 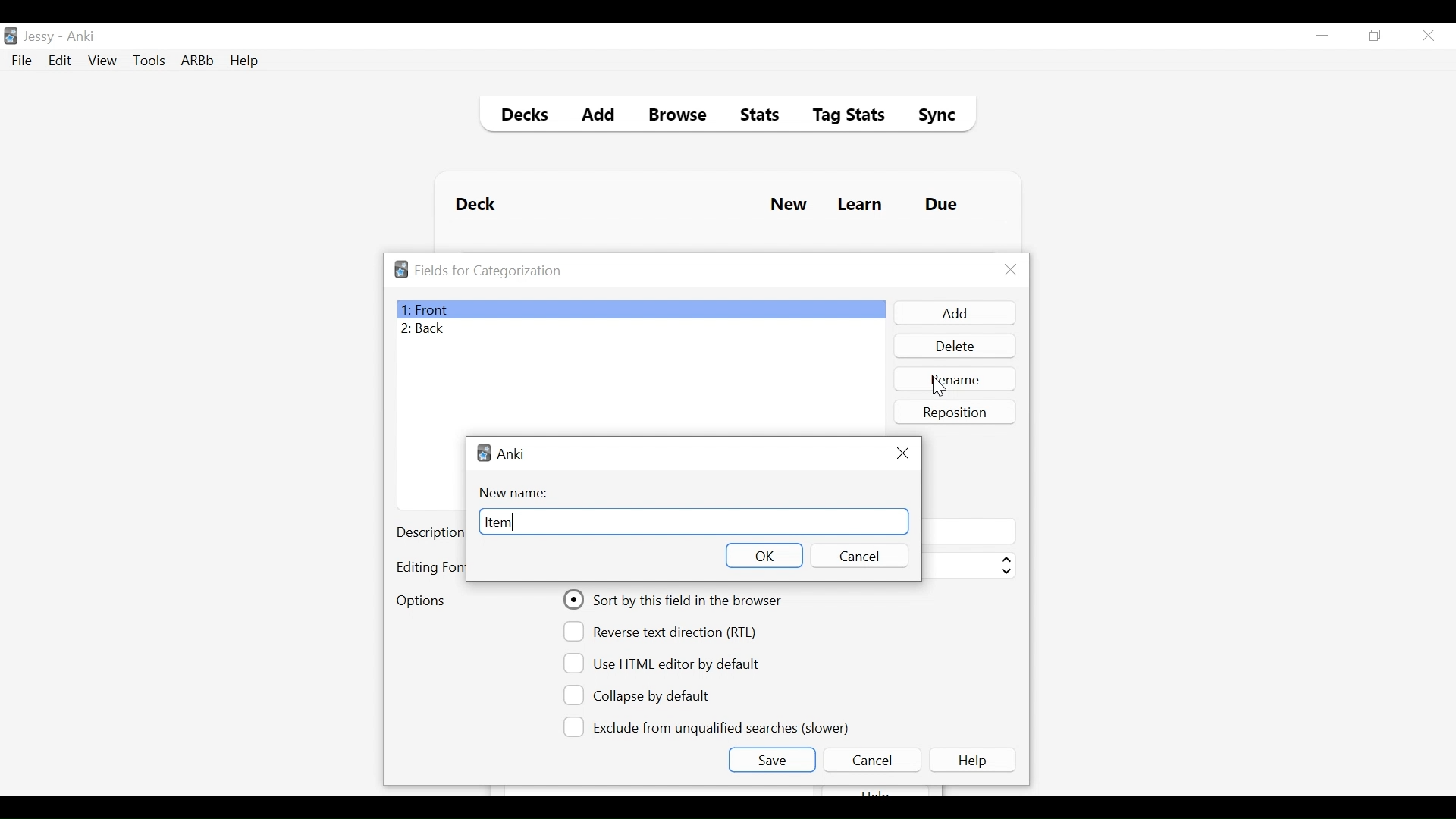 I want to click on Adjust Font Size, so click(x=968, y=566).